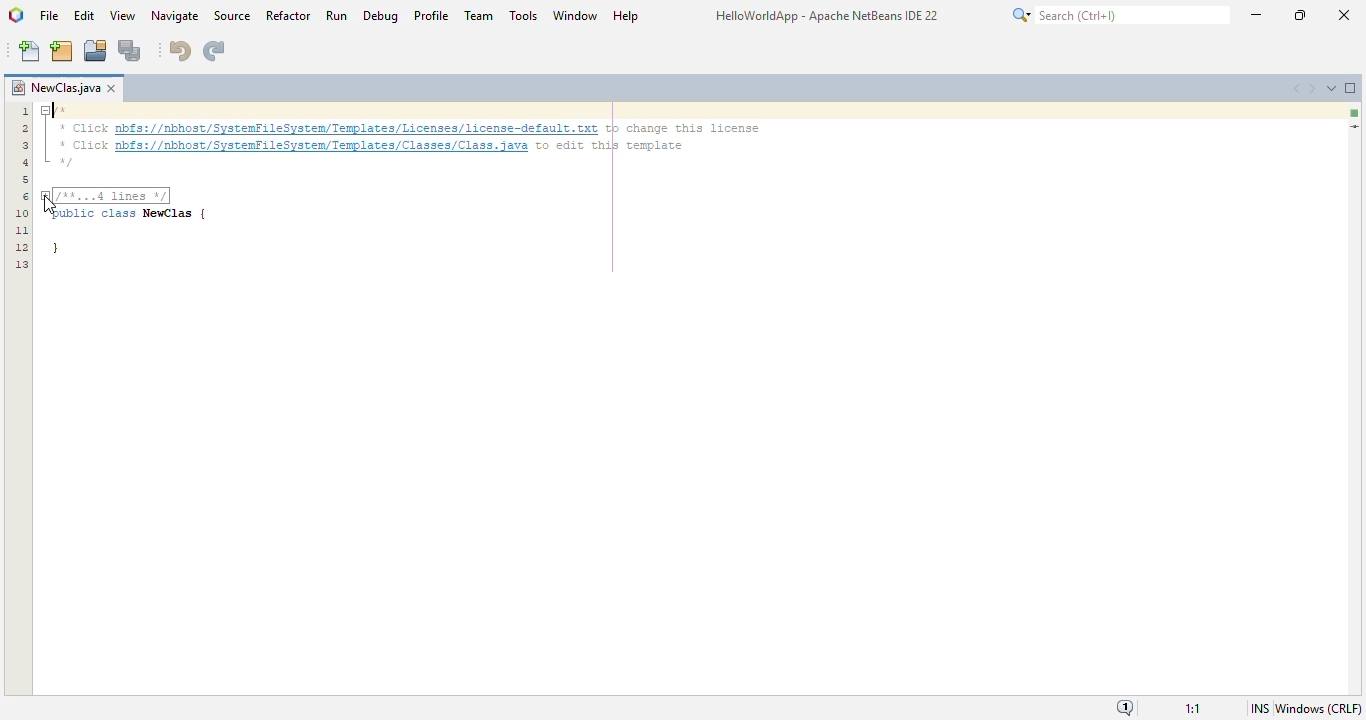 The width and height of the screenshot is (1366, 720). Describe the element at coordinates (288, 15) in the screenshot. I see `refactor` at that location.